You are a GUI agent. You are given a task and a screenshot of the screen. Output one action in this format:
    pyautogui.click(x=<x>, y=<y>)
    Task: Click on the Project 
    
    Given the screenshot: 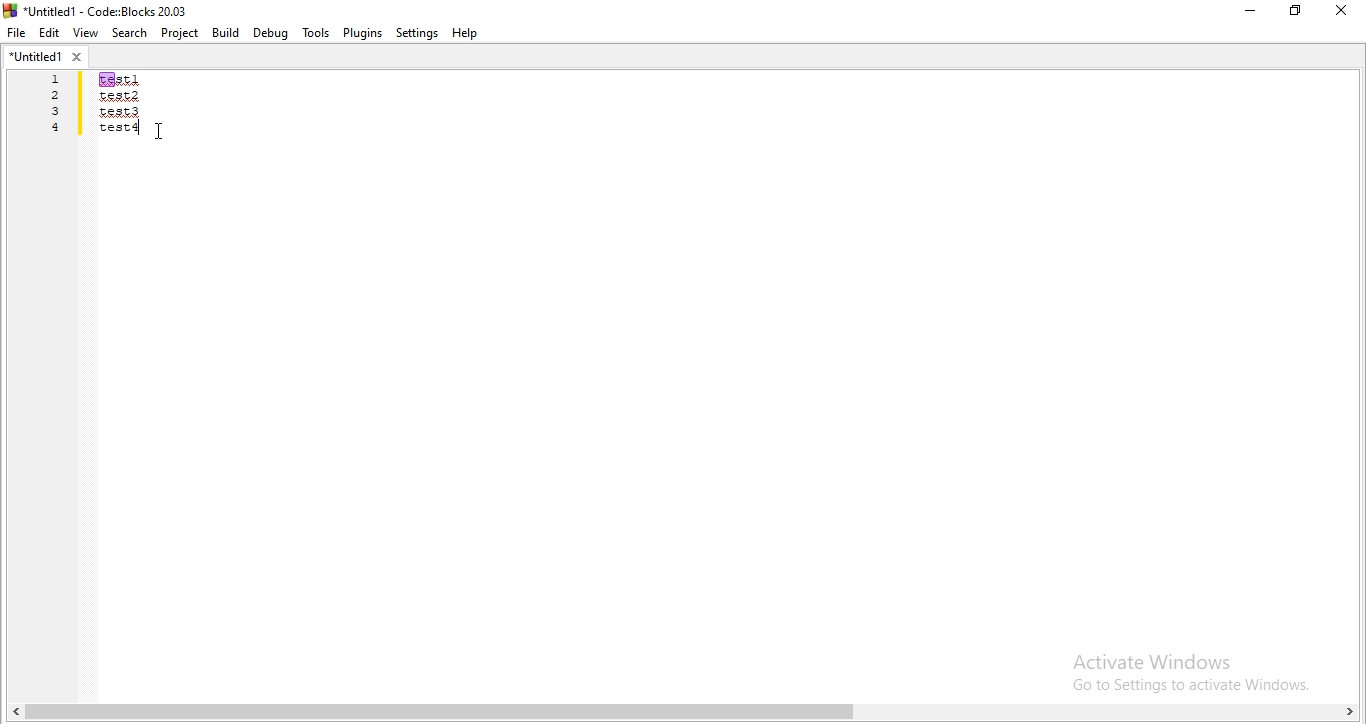 What is the action you would take?
    pyautogui.click(x=179, y=33)
    